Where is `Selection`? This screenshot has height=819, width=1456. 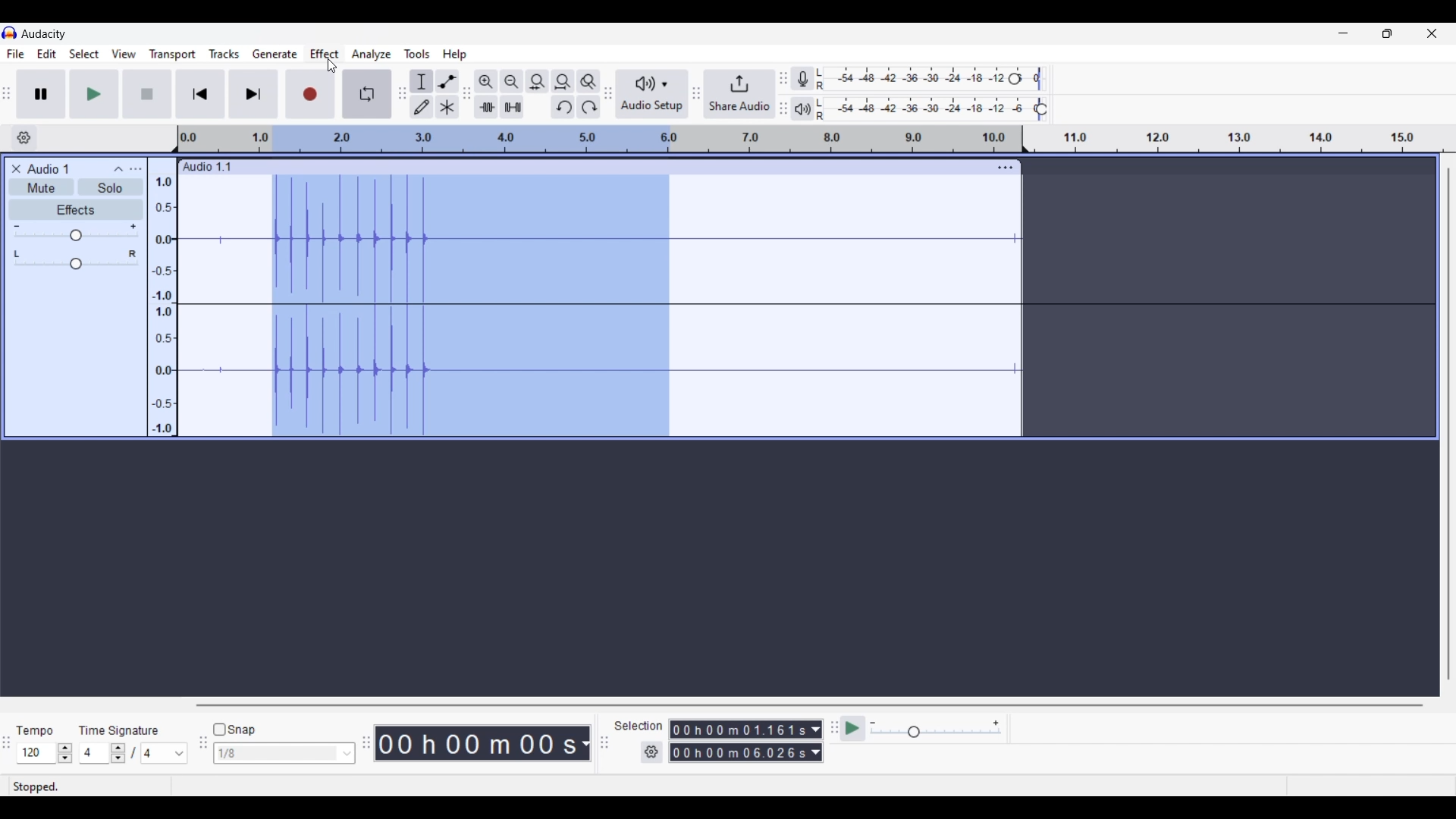
Selection is located at coordinates (639, 726).